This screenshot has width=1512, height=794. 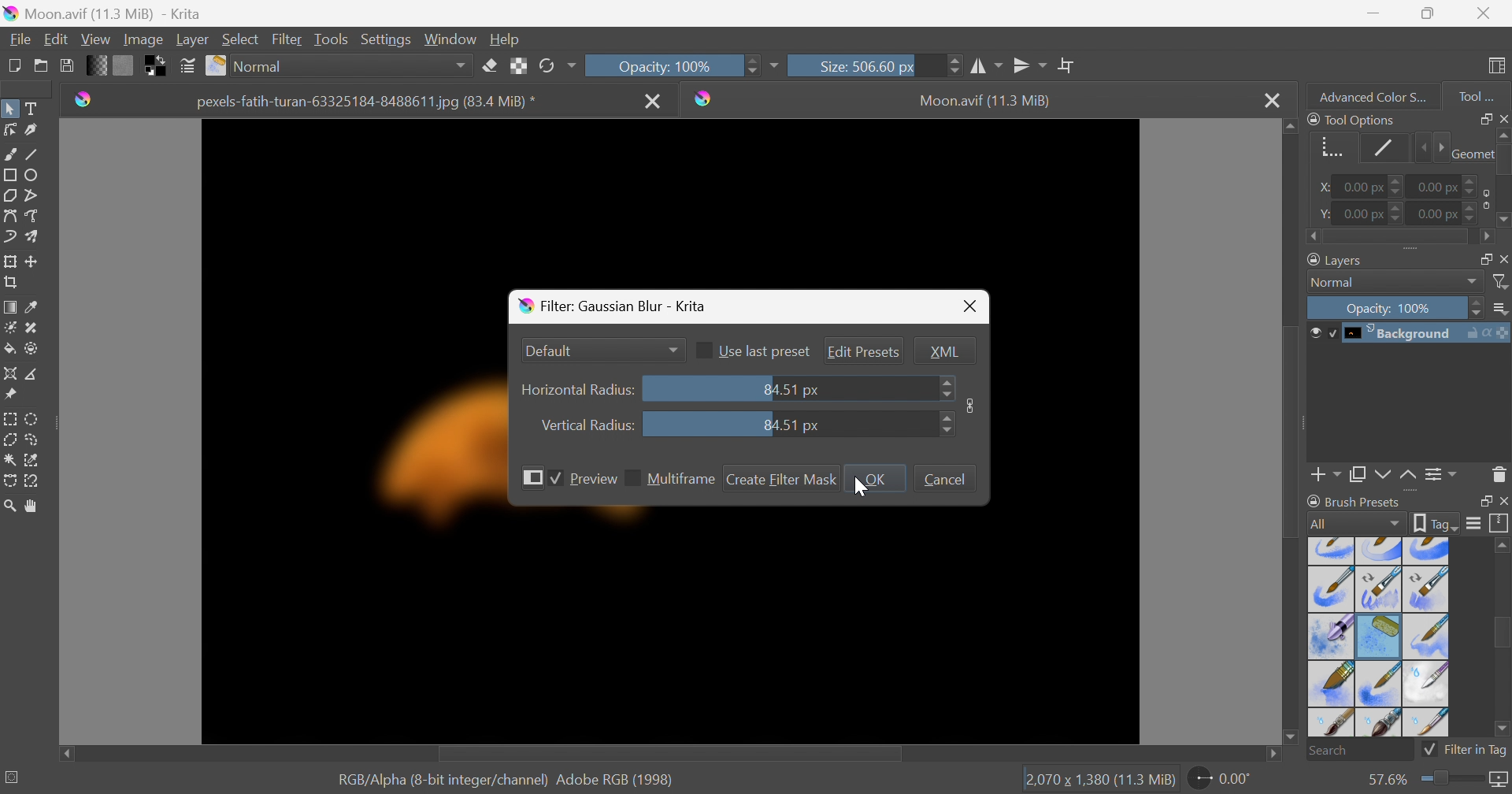 I want to click on y:, so click(x=1323, y=213).